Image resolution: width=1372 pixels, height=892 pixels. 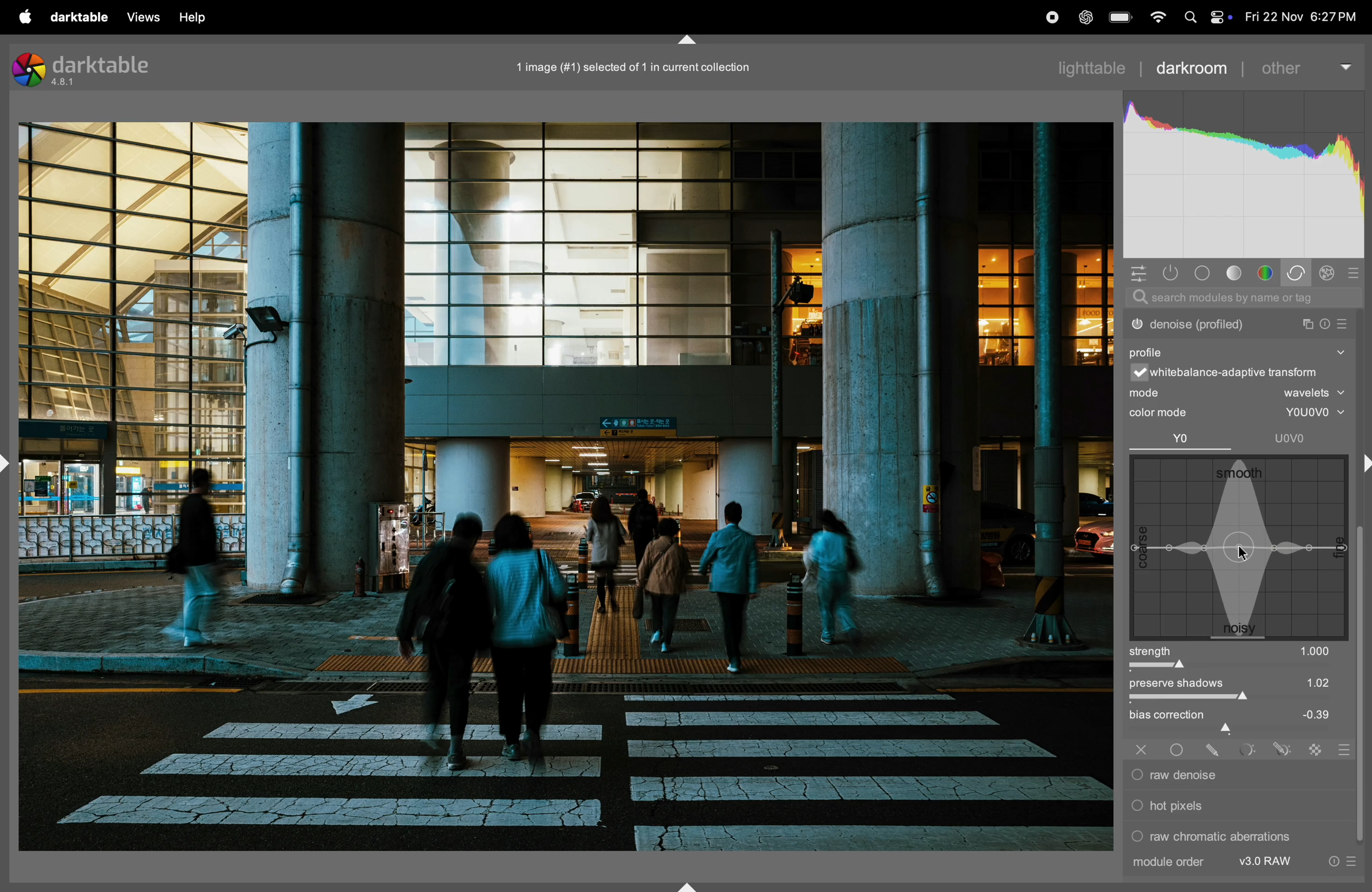 I want to click on apple menu, so click(x=25, y=17).